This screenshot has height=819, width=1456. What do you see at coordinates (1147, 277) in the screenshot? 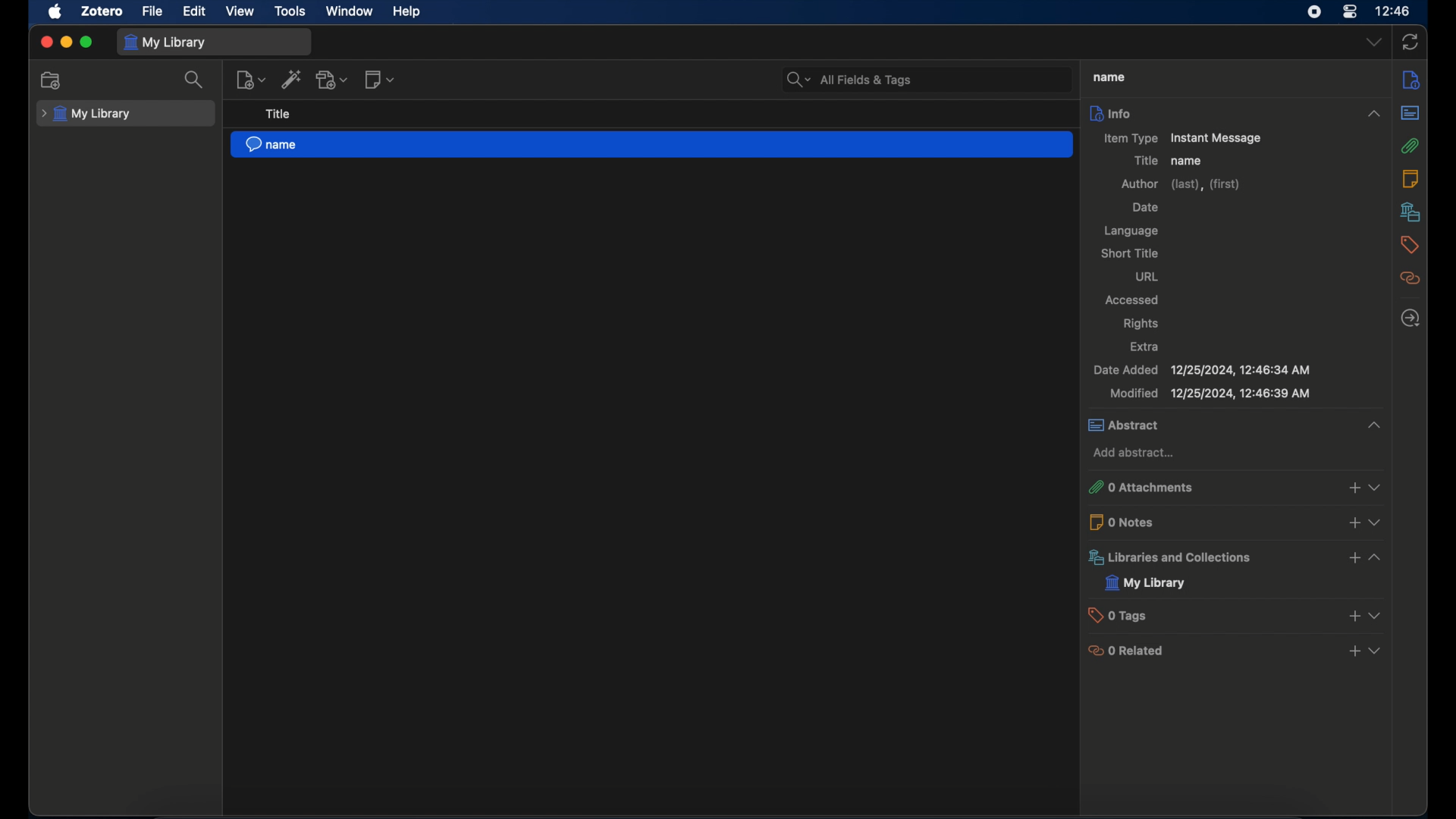
I see `url` at bounding box center [1147, 277].